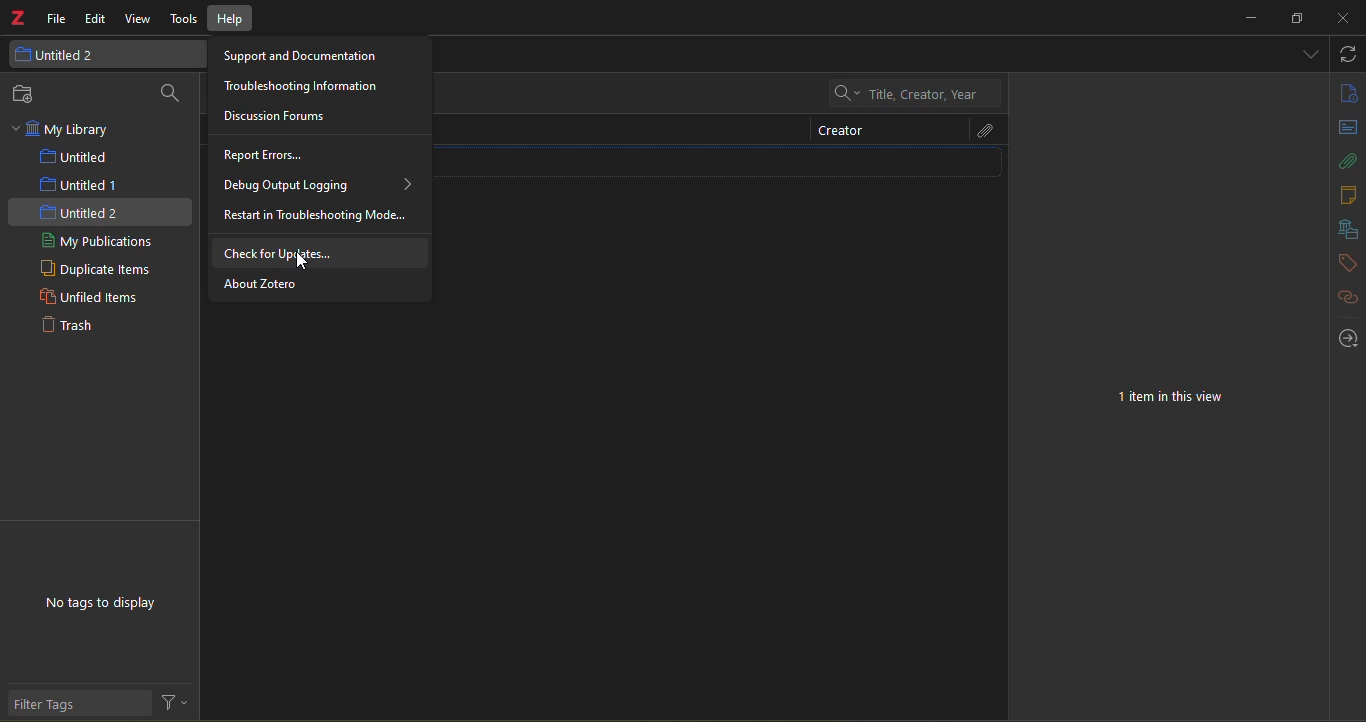  I want to click on trash, so click(69, 323).